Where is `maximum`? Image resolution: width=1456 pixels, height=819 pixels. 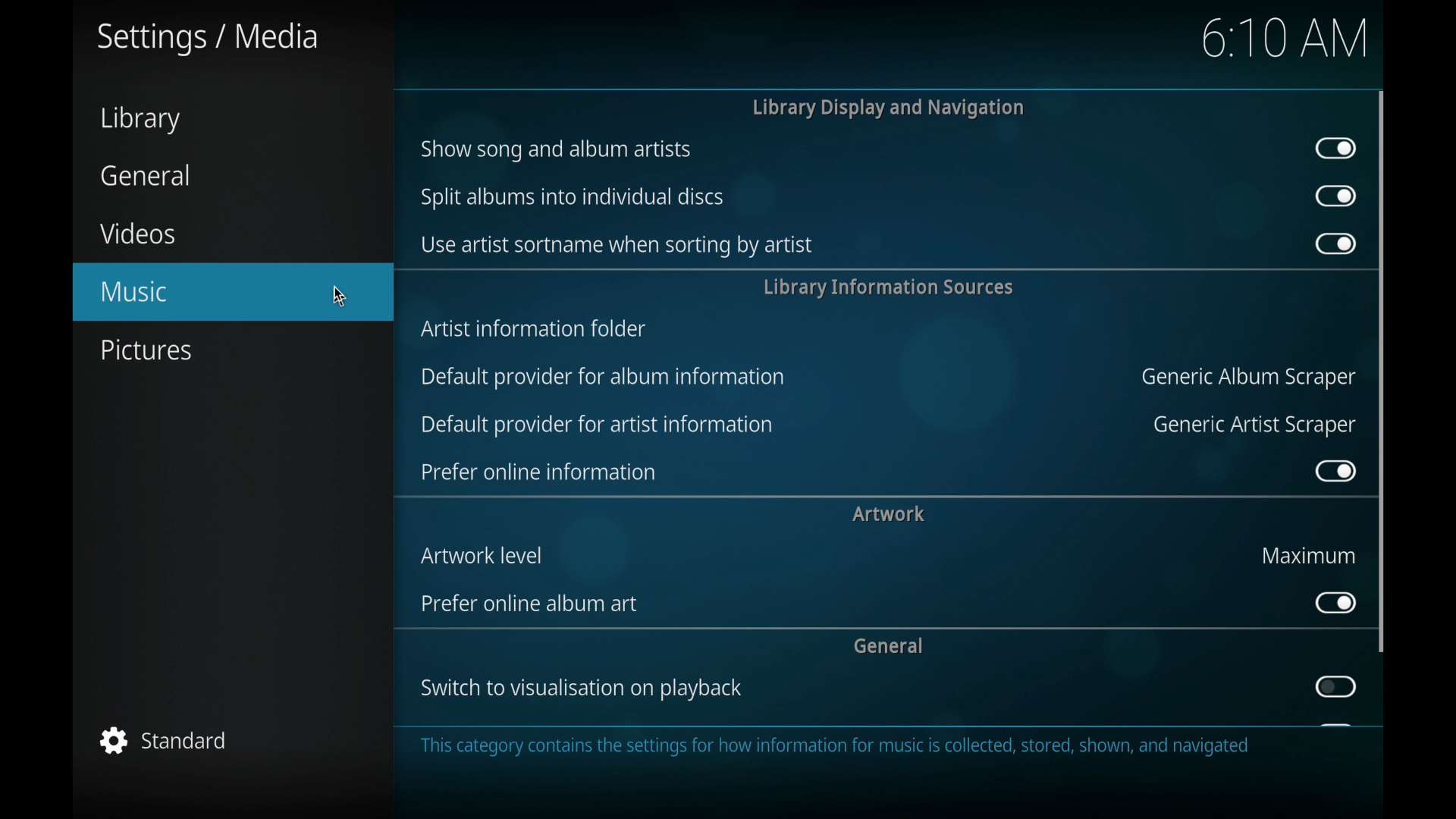 maximum is located at coordinates (1310, 555).